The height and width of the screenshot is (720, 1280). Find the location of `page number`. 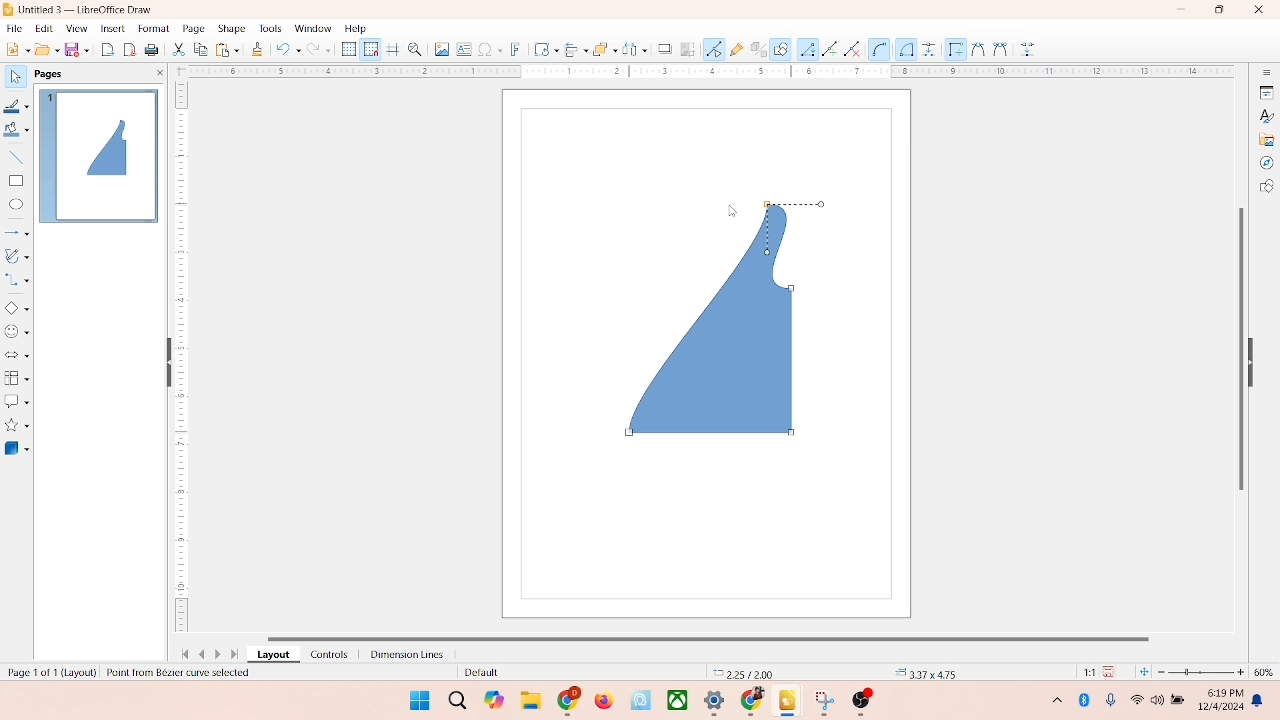

page number is located at coordinates (49, 671).